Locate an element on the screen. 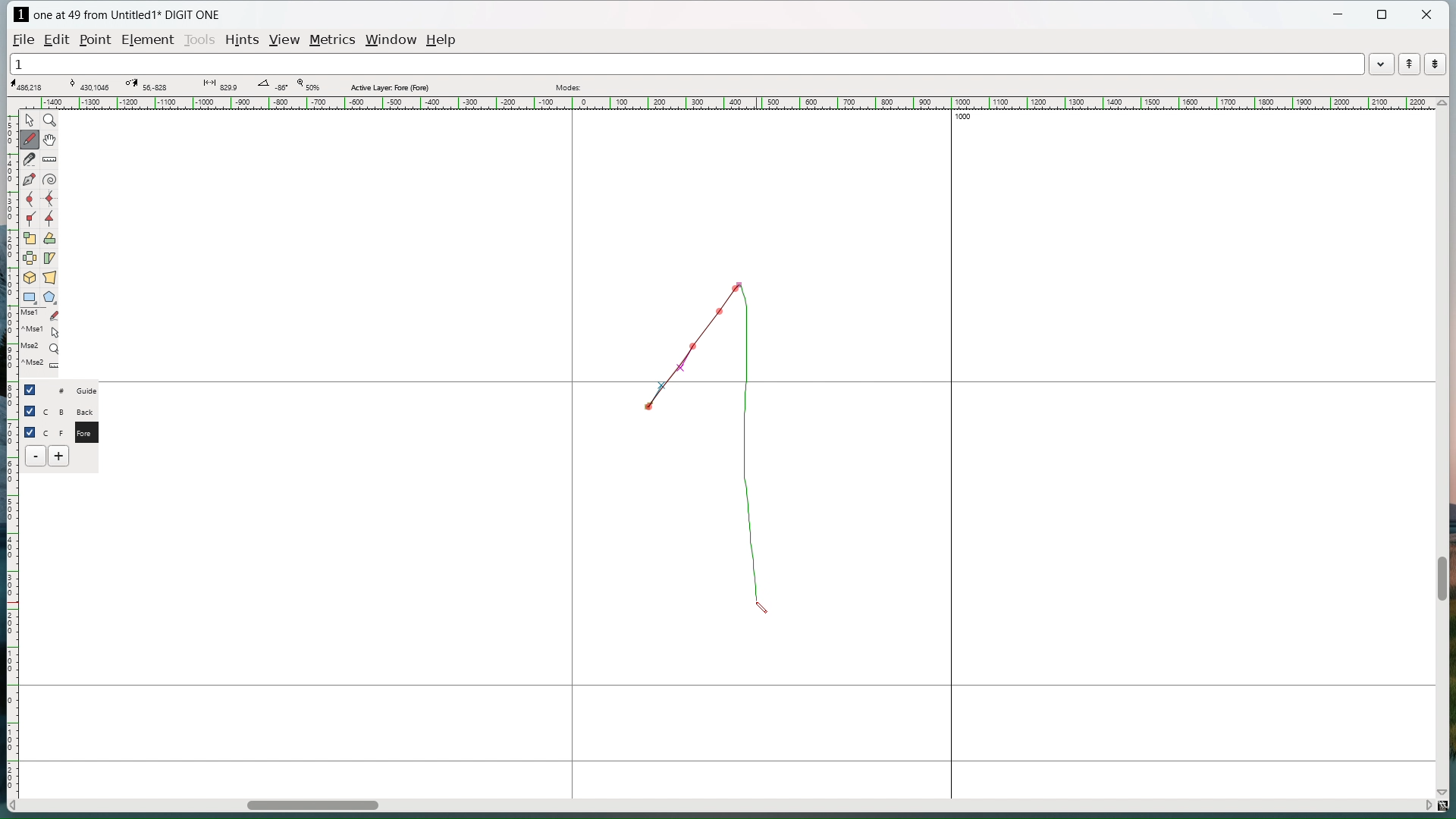  Zoom level  is located at coordinates (307, 86).